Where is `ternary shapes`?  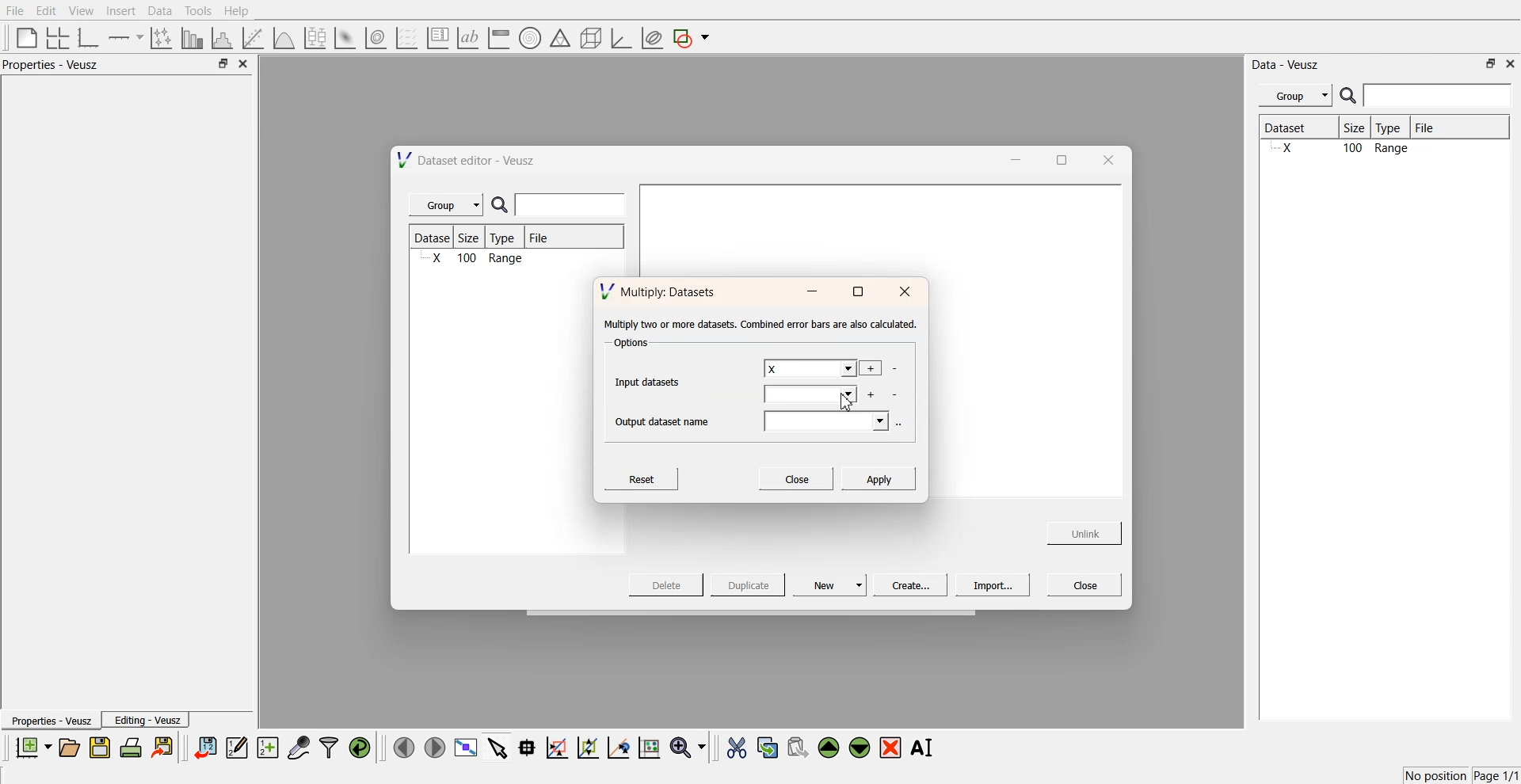
ternary shapes is located at coordinates (558, 40).